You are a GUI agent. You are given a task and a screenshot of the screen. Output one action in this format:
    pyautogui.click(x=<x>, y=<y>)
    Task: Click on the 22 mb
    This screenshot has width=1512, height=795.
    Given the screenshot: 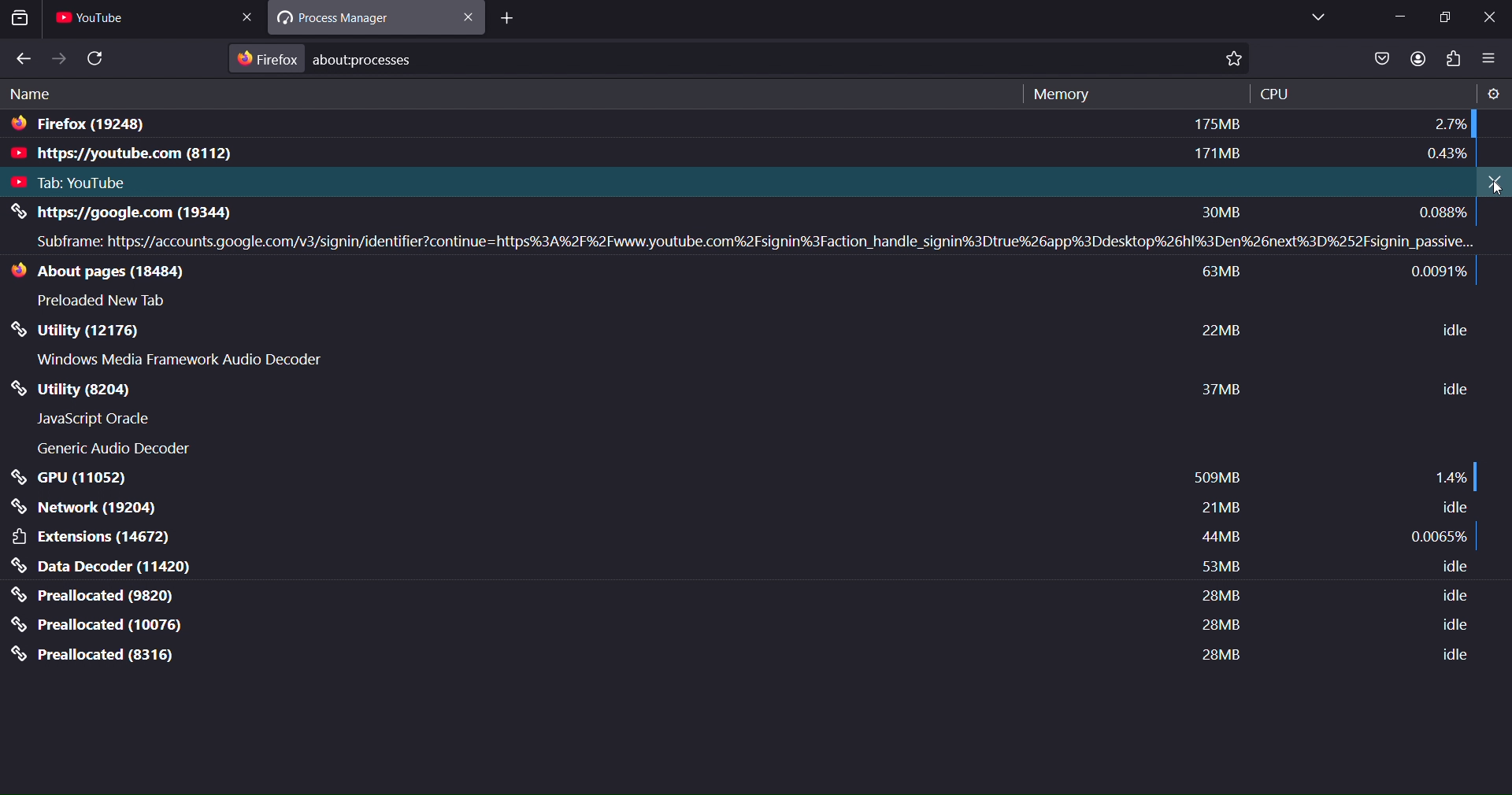 What is the action you would take?
    pyautogui.click(x=1222, y=331)
    